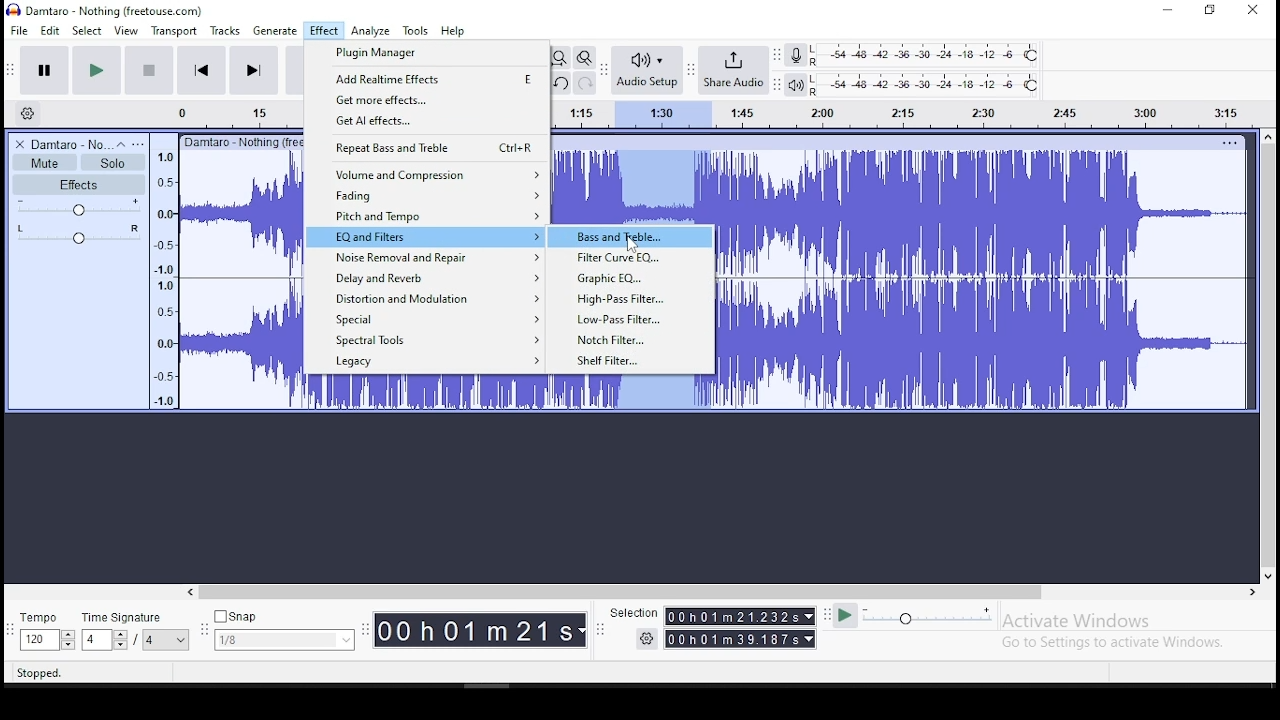 The width and height of the screenshot is (1280, 720). I want to click on , so click(601, 630).